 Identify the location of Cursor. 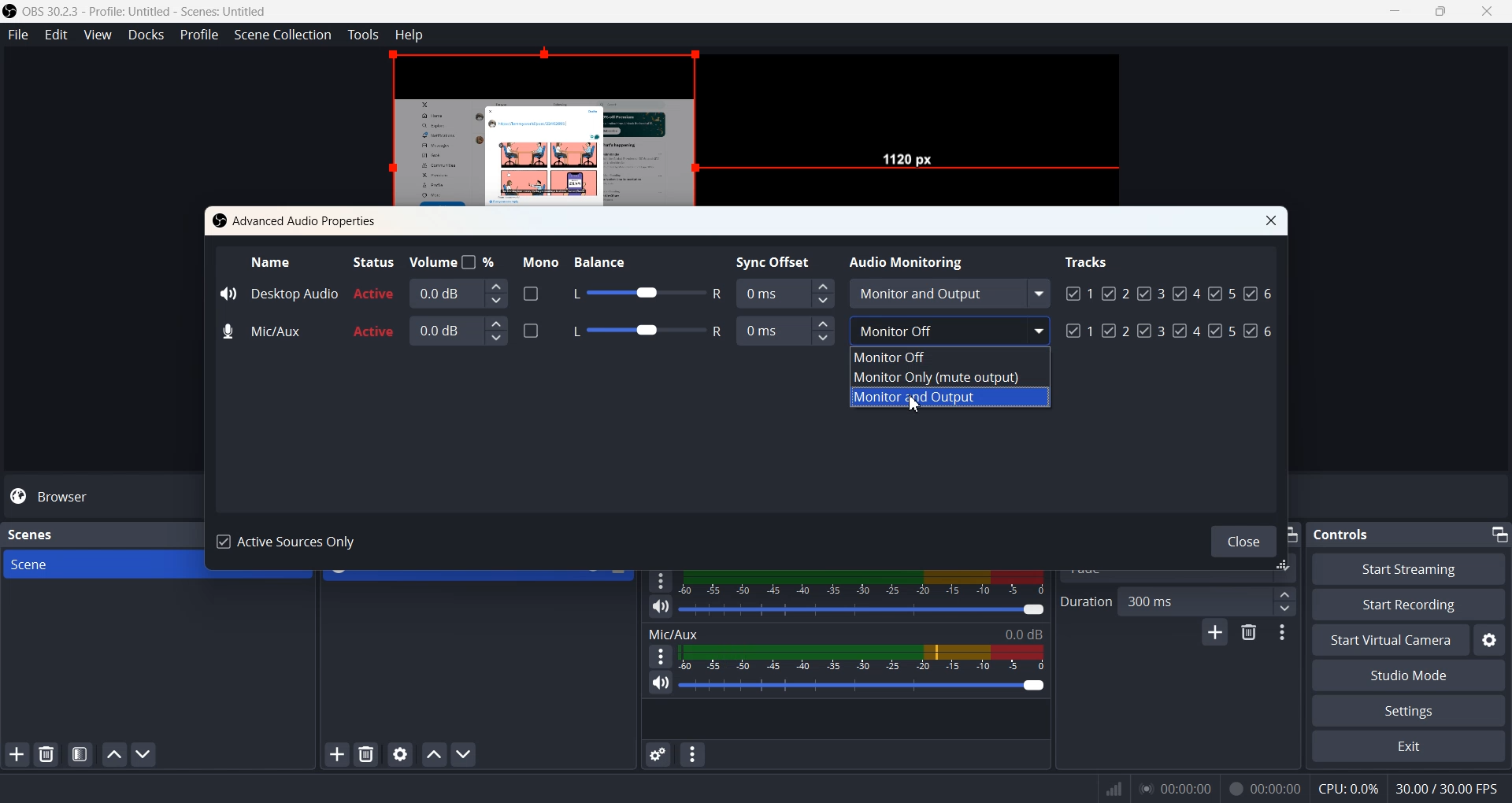
(914, 404).